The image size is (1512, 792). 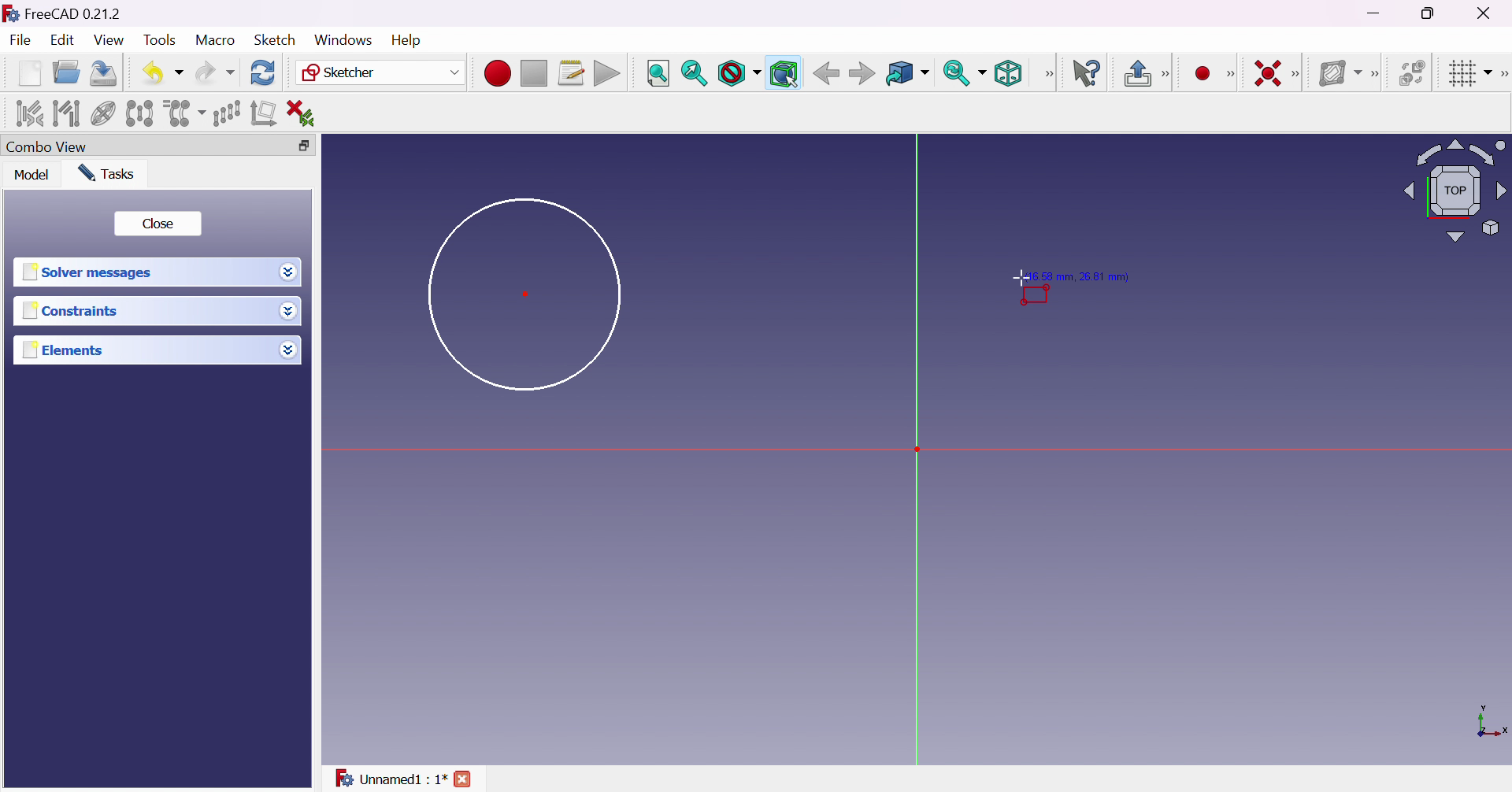 I want to click on Solver messages, so click(x=87, y=272).